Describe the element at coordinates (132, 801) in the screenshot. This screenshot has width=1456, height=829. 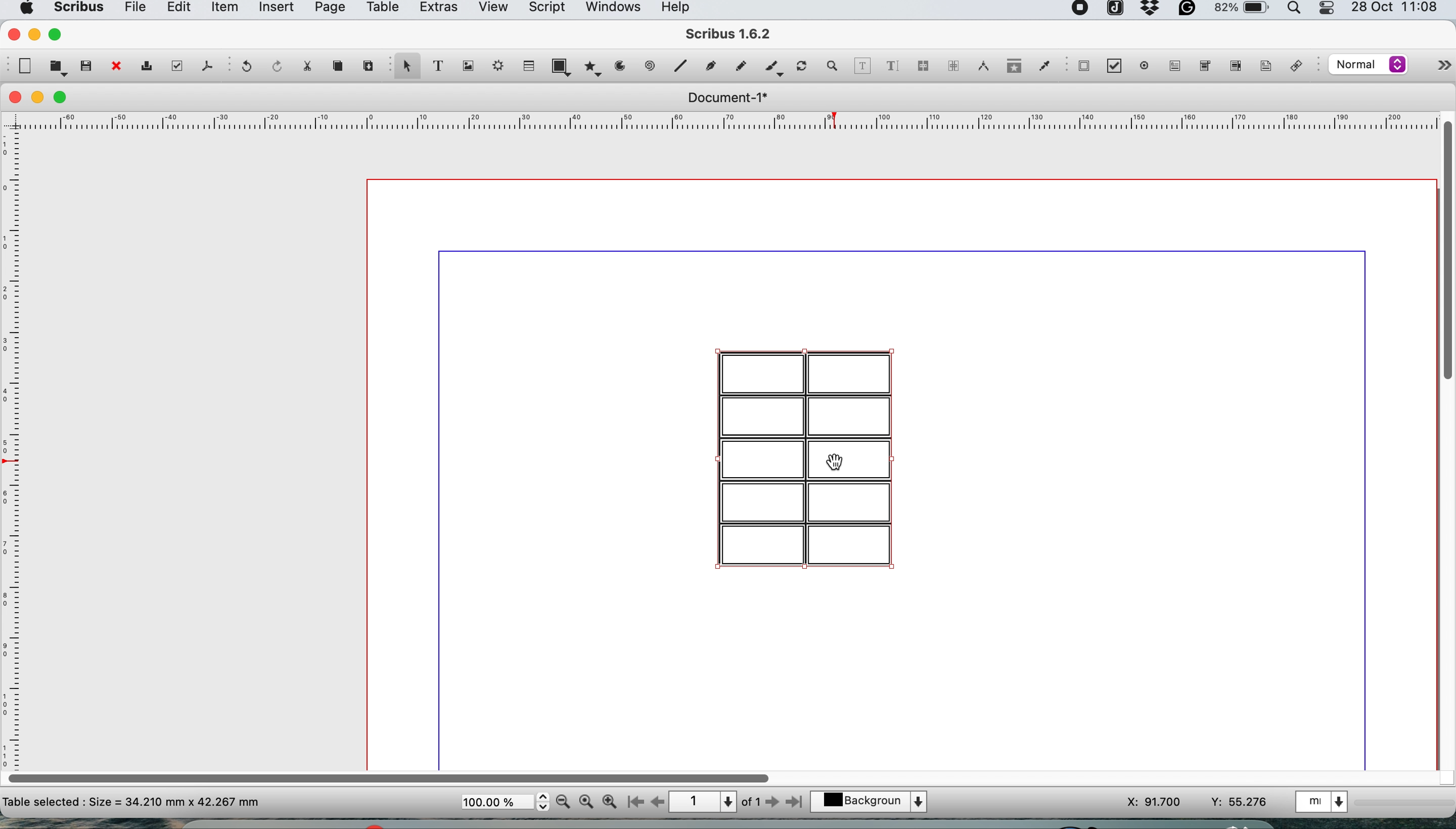
I see `text` at that location.